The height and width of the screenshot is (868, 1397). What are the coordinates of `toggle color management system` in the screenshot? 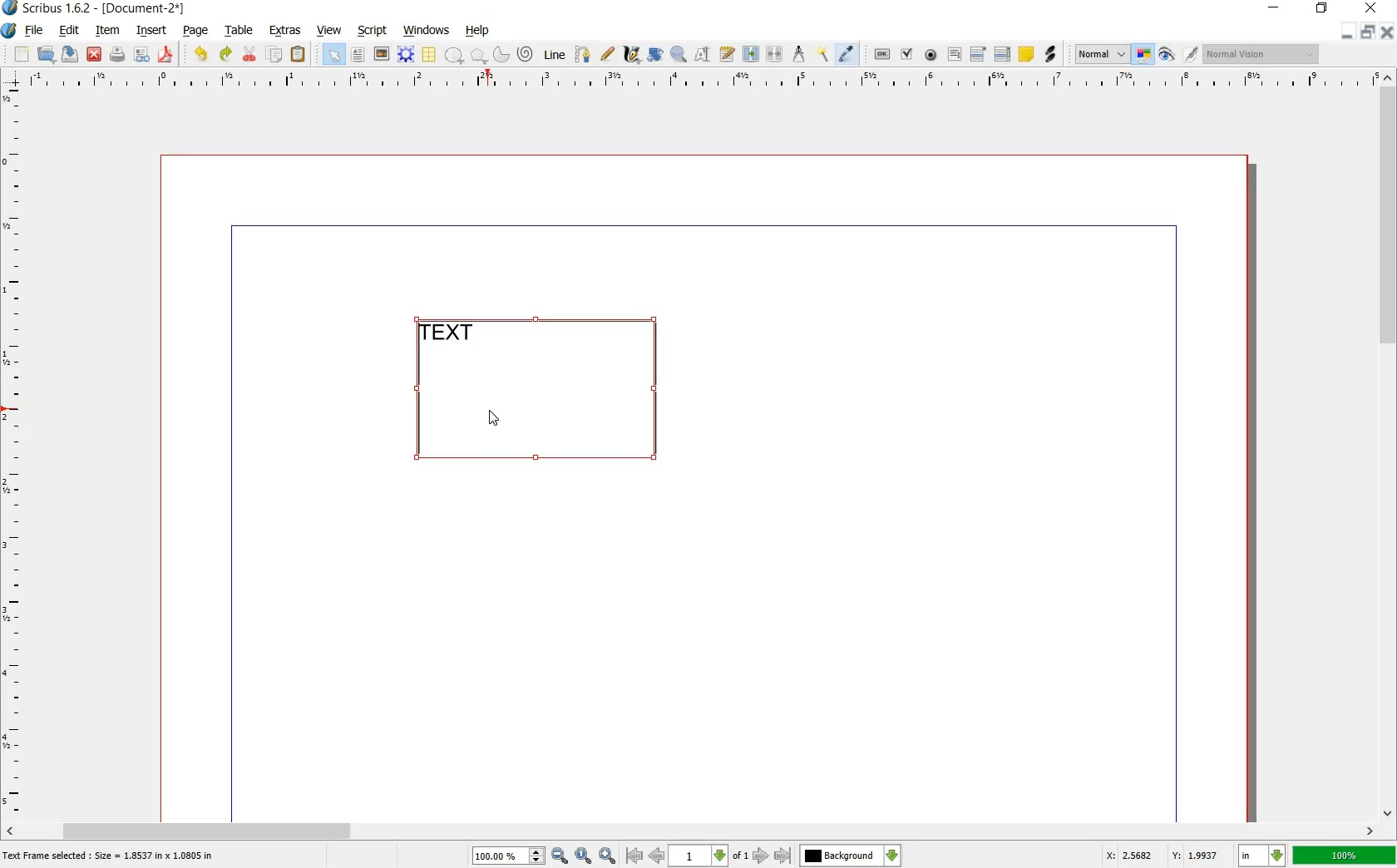 It's located at (1144, 55).